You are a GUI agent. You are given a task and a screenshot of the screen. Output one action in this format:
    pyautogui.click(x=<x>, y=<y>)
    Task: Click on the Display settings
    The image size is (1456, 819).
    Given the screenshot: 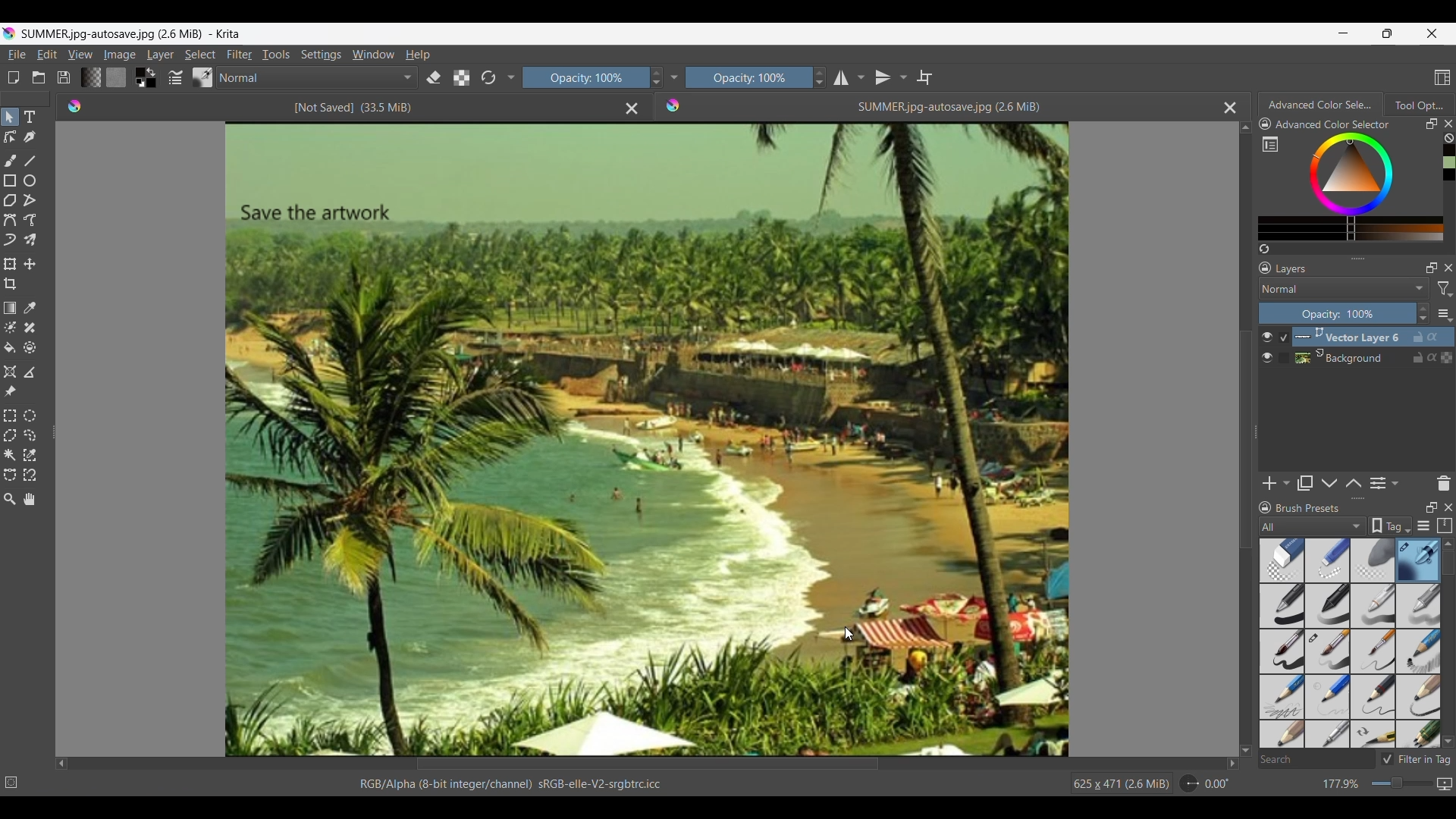 What is the action you would take?
    pyautogui.click(x=1423, y=526)
    